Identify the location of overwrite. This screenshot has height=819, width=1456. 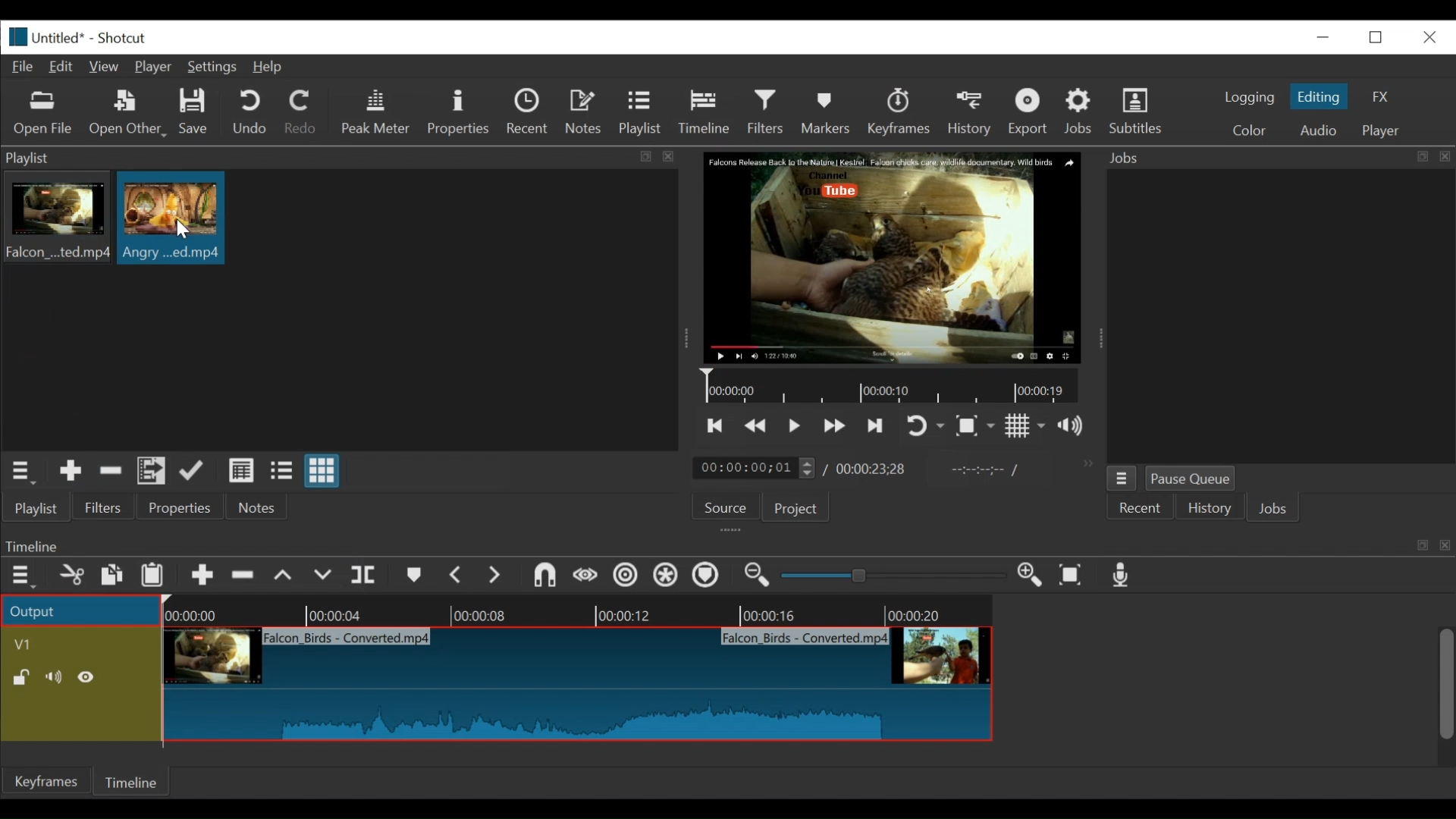
(325, 576).